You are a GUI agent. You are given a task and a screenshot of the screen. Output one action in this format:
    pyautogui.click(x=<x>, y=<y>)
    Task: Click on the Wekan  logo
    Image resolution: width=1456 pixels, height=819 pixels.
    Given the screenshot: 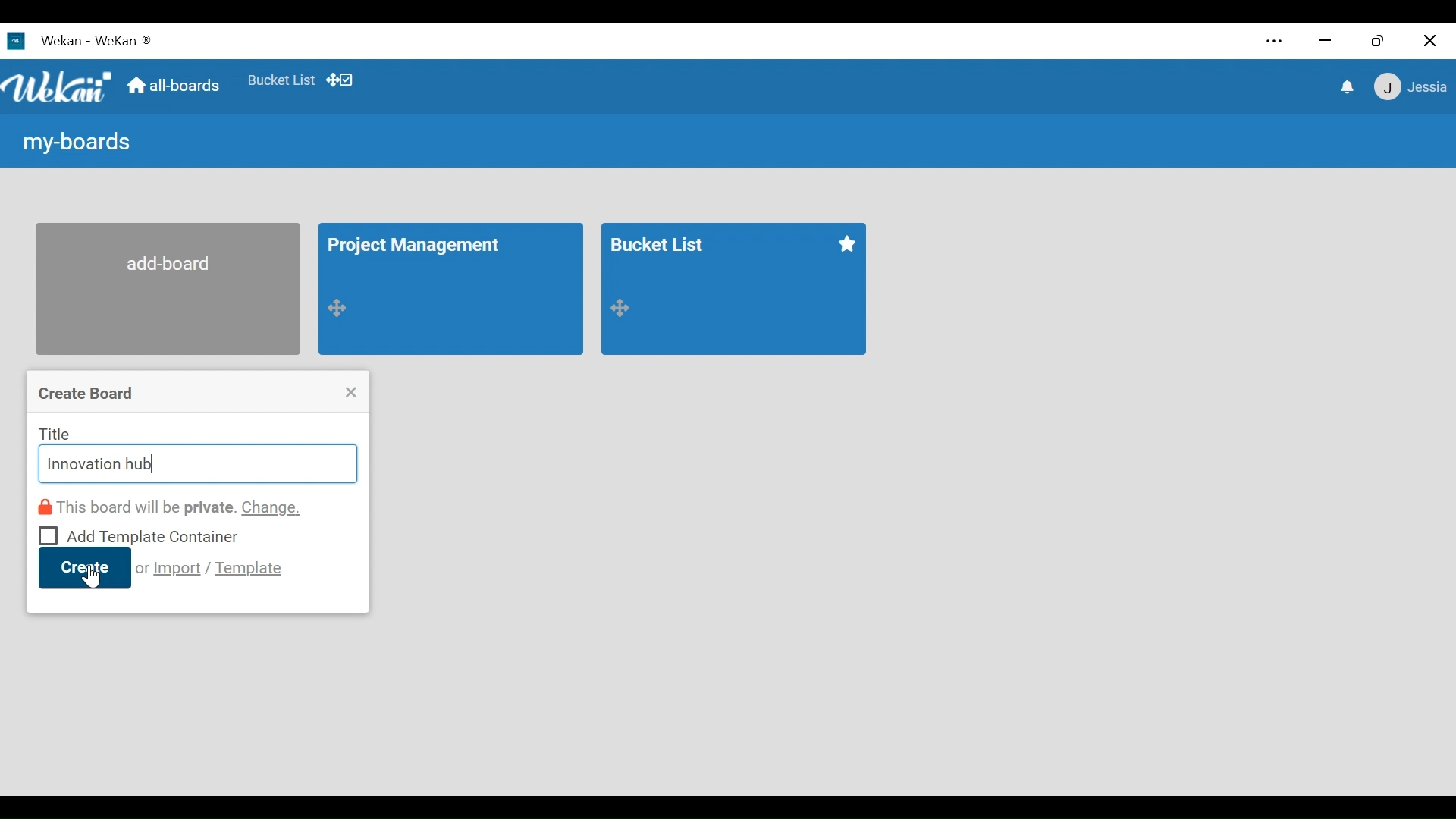 What is the action you would take?
    pyautogui.click(x=58, y=87)
    